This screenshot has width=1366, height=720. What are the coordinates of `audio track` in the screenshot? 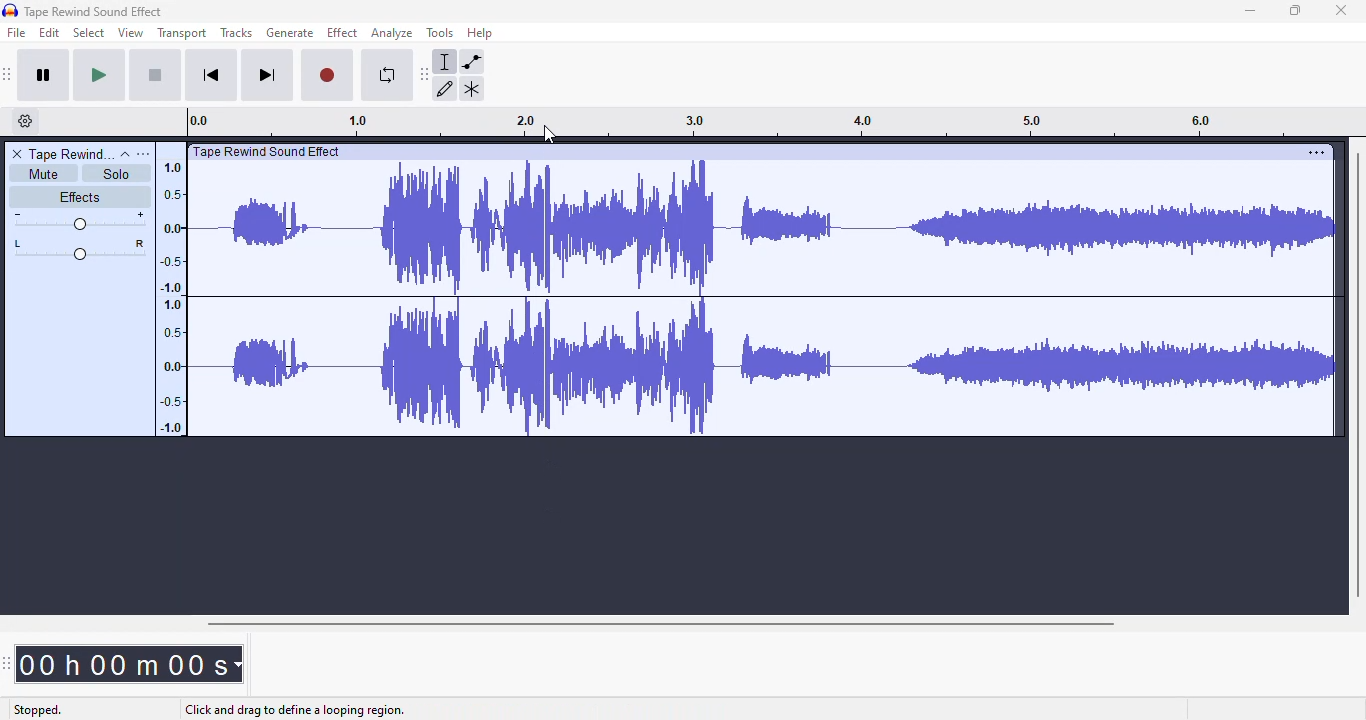 It's located at (764, 298).